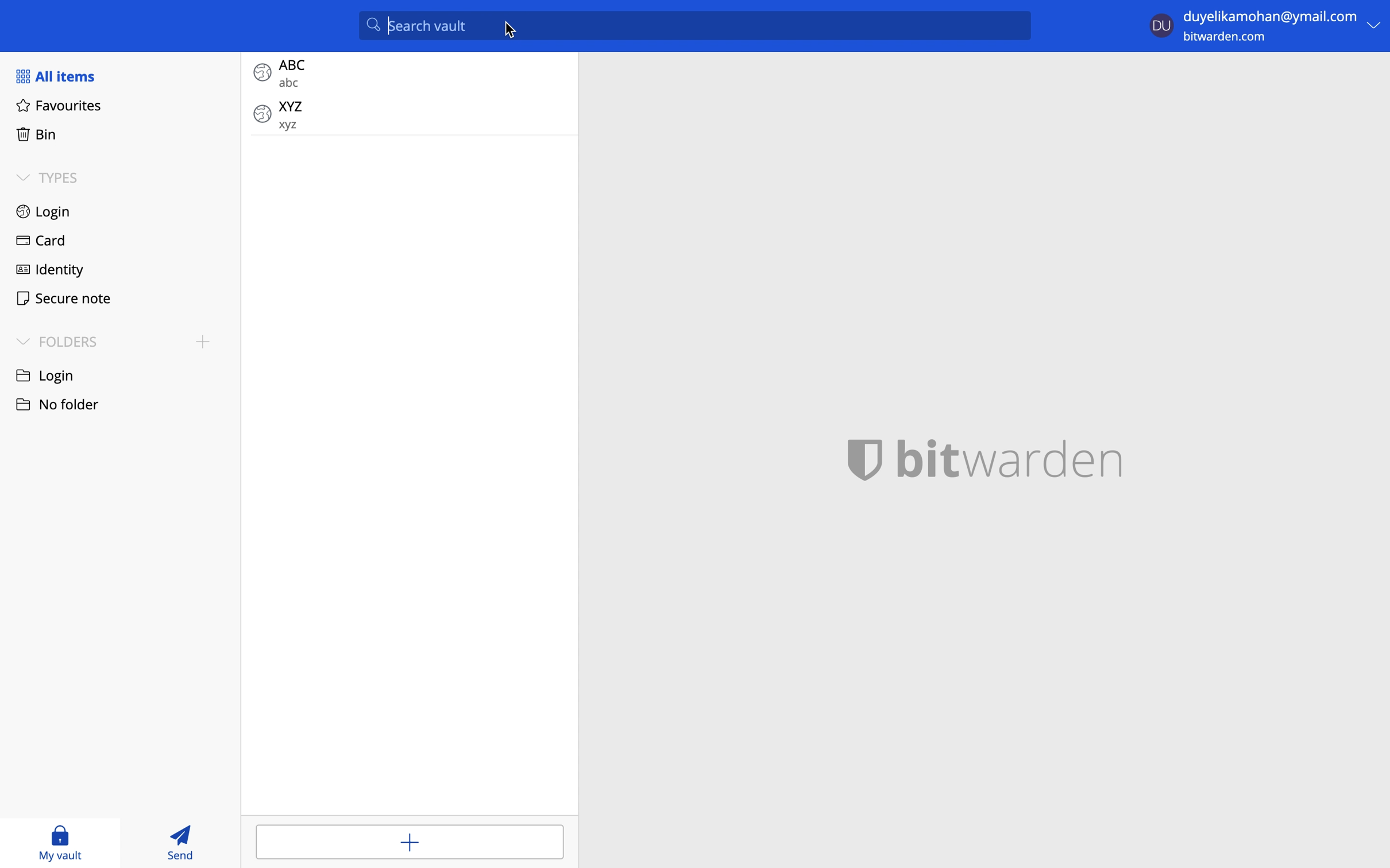 Image resolution: width=1390 pixels, height=868 pixels. What do you see at coordinates (987, 459) in the screenshot?
I see `bitwarden` at bounding box center [987, 459].